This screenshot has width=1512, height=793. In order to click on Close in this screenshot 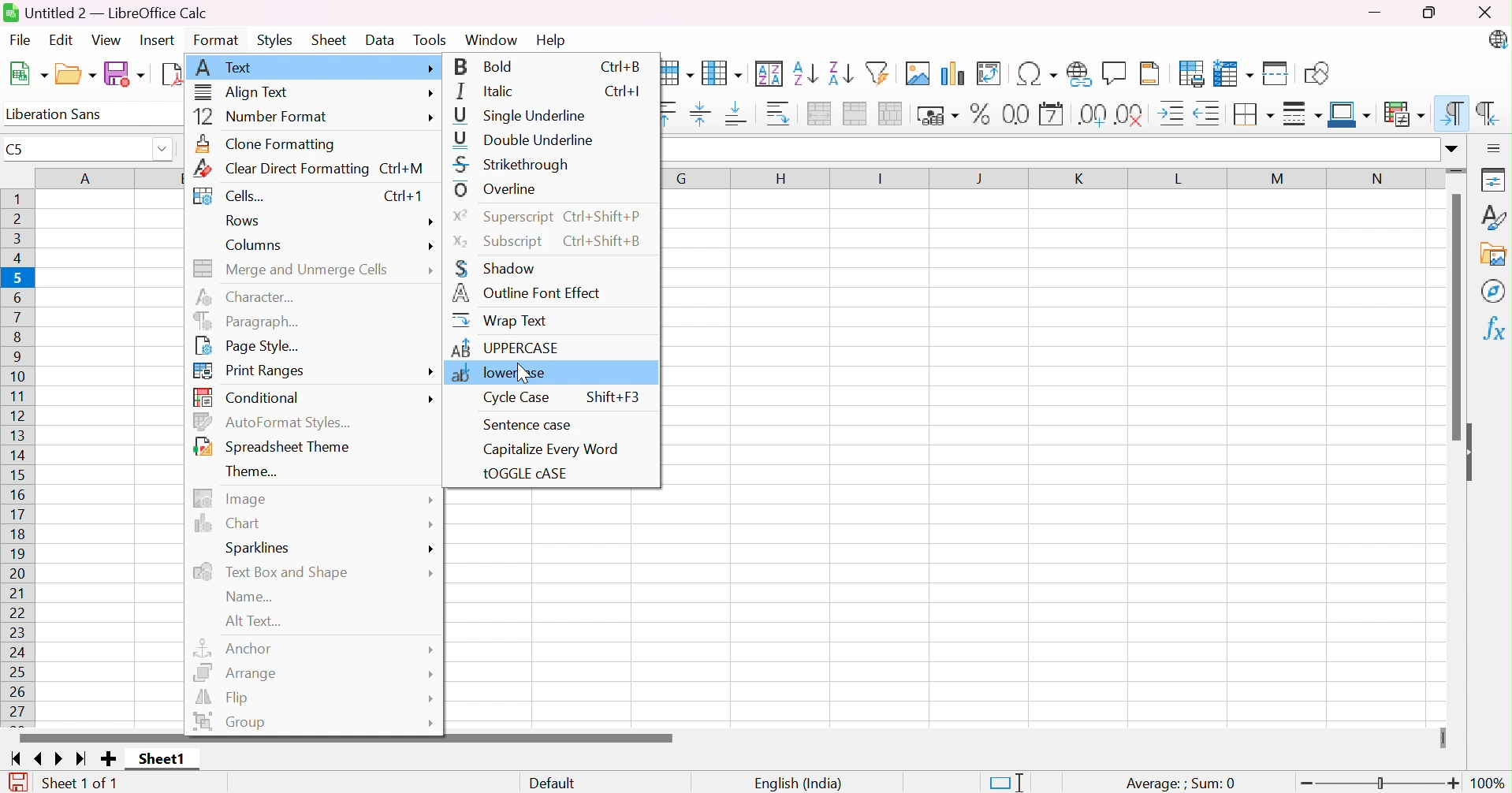, I will do `click(1488, 10)`.